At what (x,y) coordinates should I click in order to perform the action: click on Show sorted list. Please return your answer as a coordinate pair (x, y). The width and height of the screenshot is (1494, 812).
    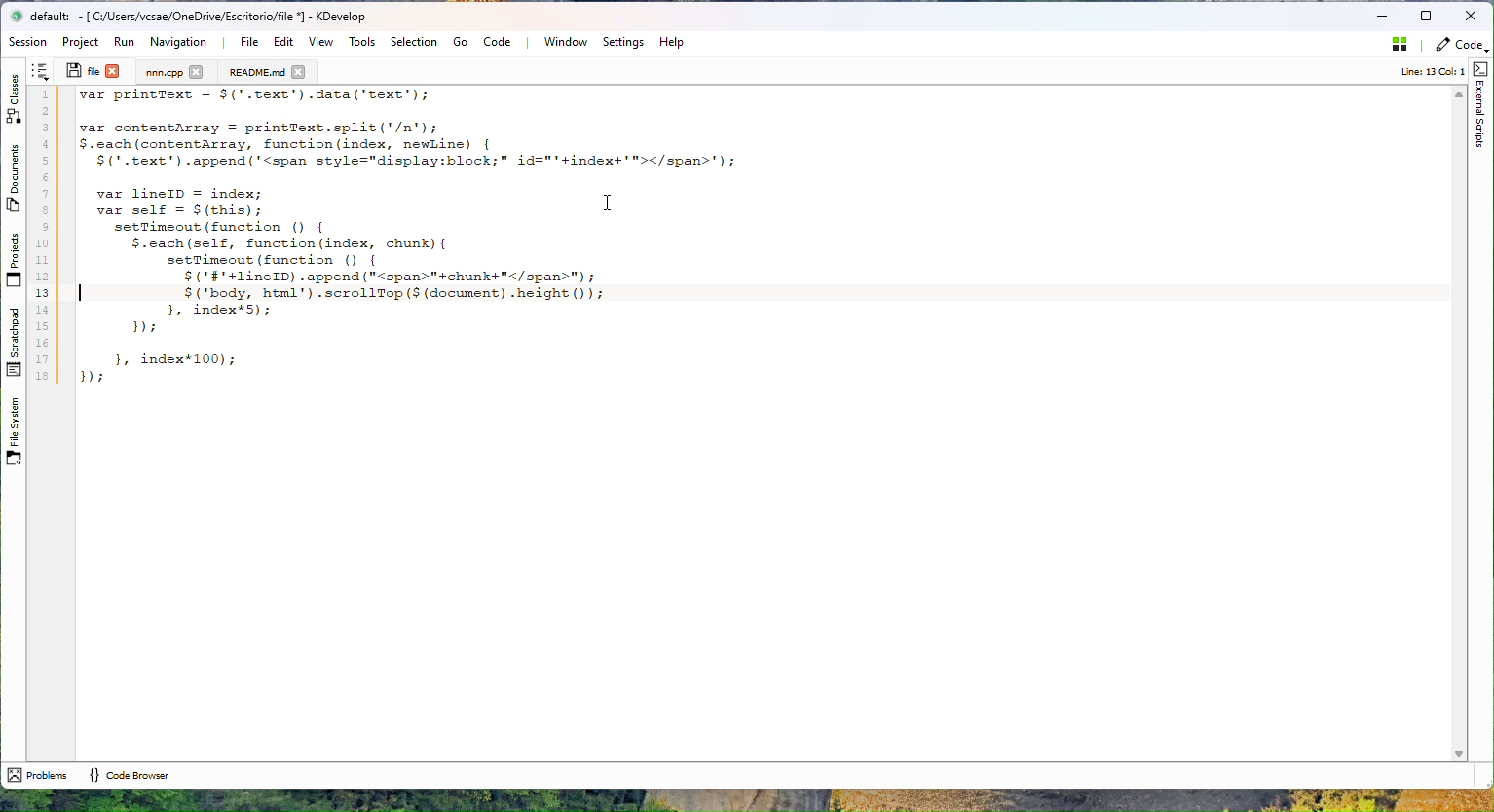
    Looking at the image, I should click on (40, 71).